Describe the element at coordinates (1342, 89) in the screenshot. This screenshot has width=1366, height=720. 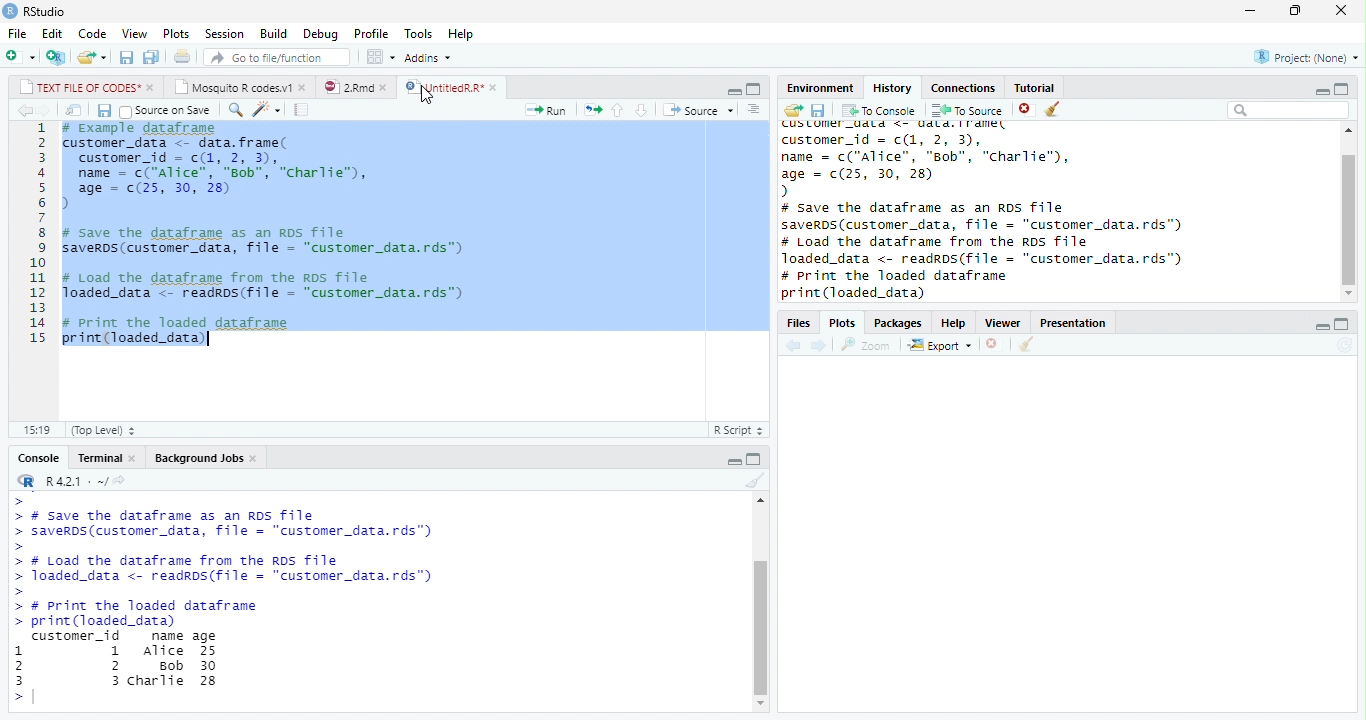
I see `maximize` at that location.